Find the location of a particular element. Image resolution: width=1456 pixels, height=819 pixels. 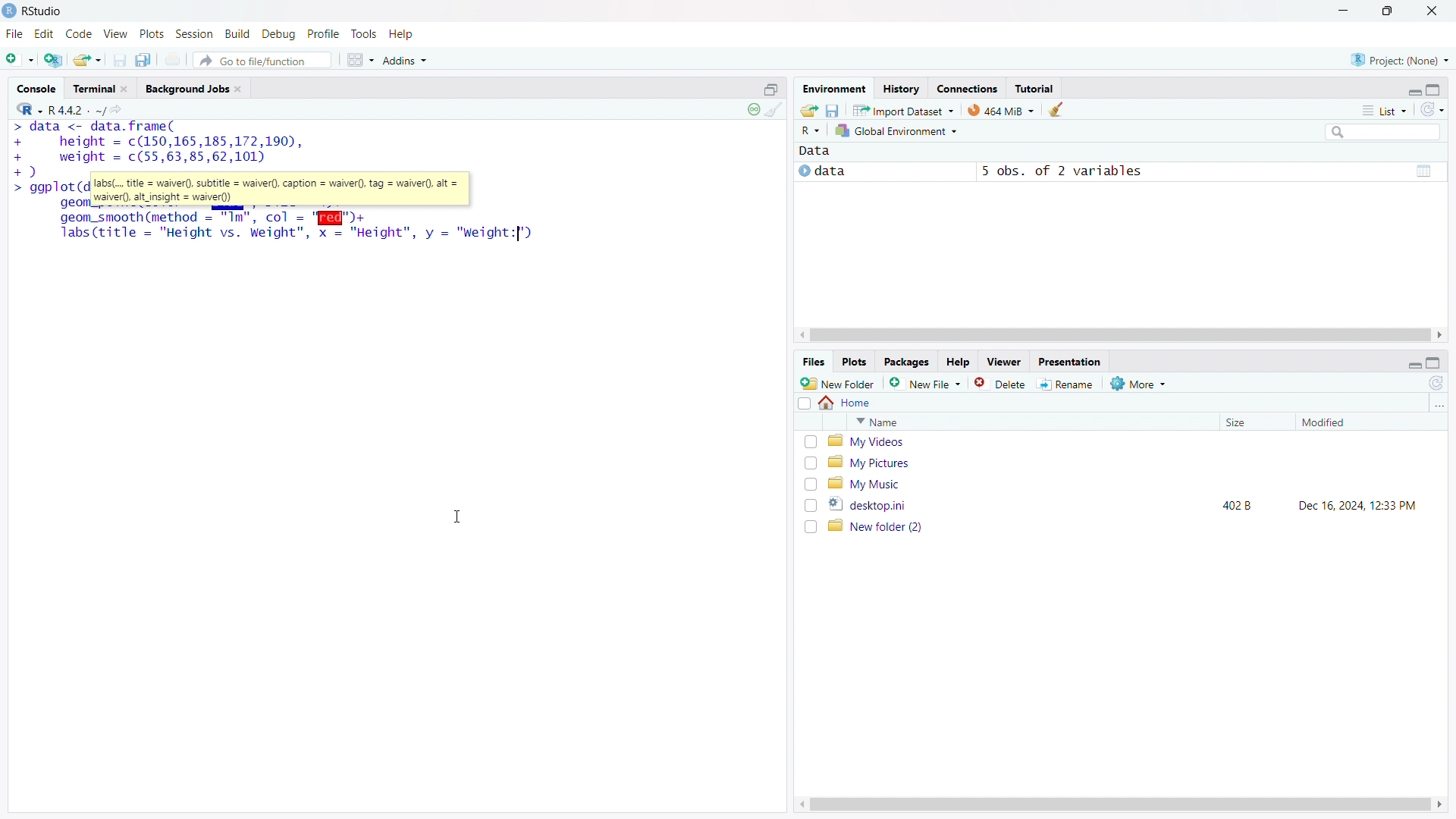

more is located at coordinates (1140, 383).